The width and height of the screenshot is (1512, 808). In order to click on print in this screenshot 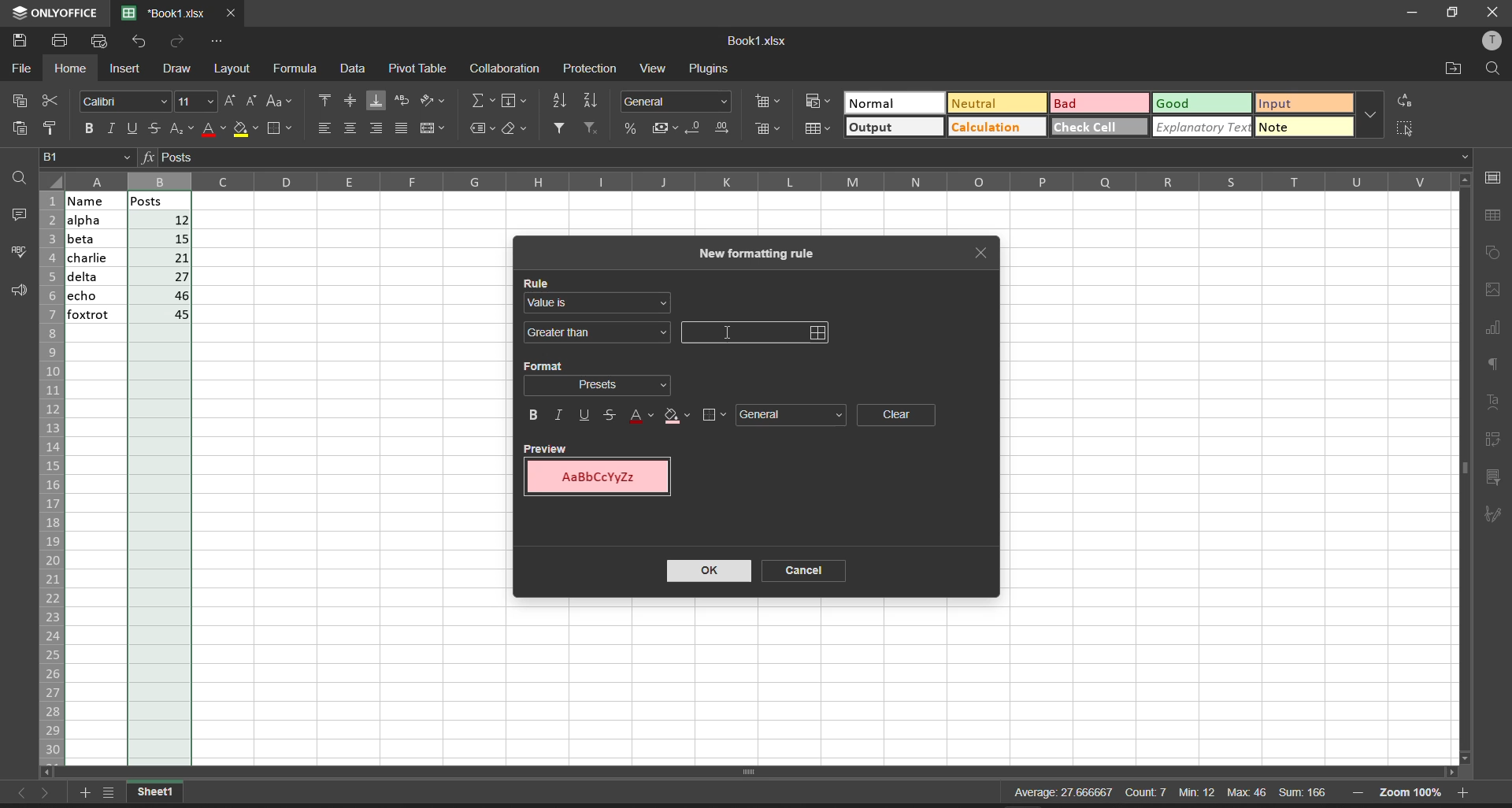, I will do `click(61, 42)`.